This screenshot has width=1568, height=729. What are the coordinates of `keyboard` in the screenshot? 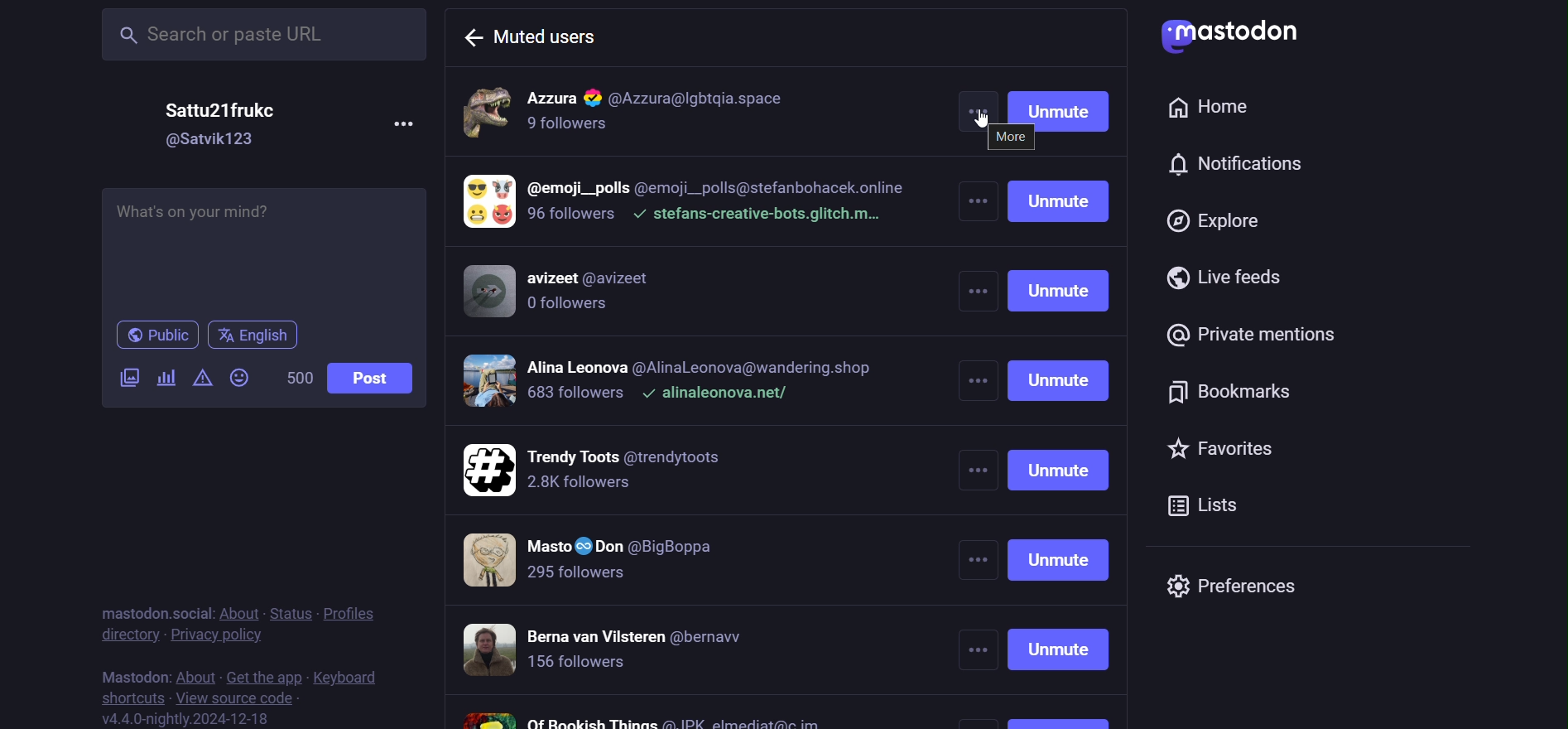 It's located at (356, 677).